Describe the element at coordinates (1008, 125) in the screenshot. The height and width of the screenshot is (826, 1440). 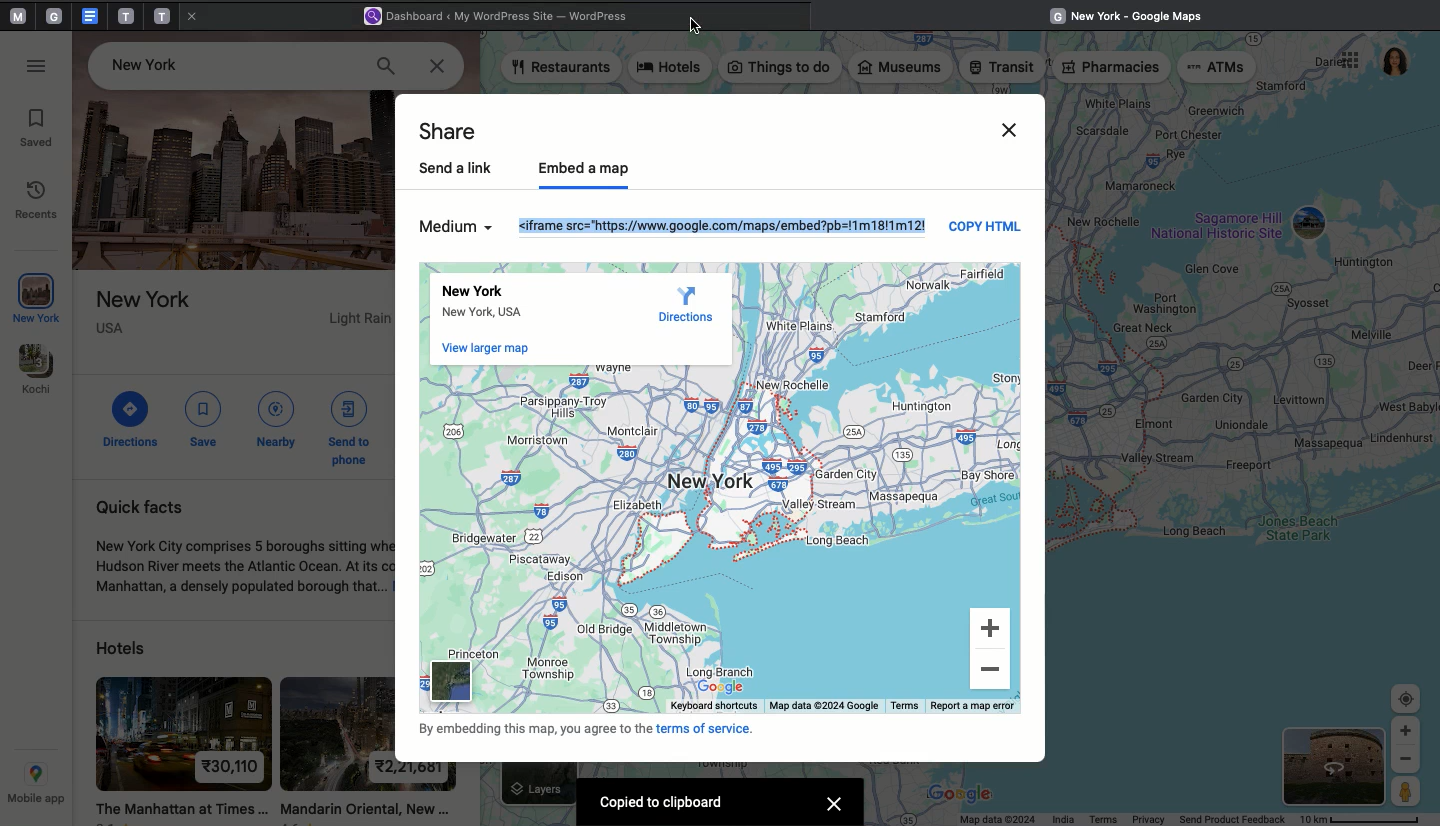
I see `CLose` at that location.